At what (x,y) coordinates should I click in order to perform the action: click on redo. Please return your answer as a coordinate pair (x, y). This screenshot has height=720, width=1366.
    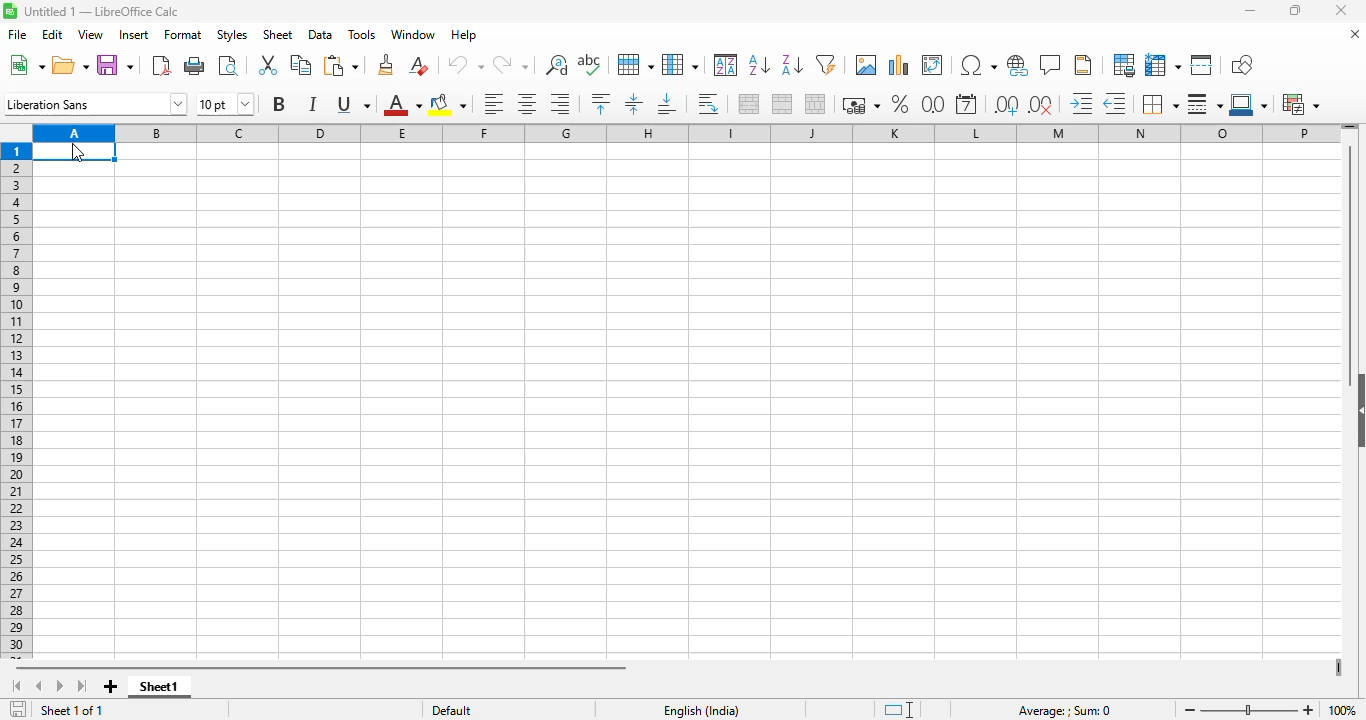
    Looking at the image, I should click on (511, 65).